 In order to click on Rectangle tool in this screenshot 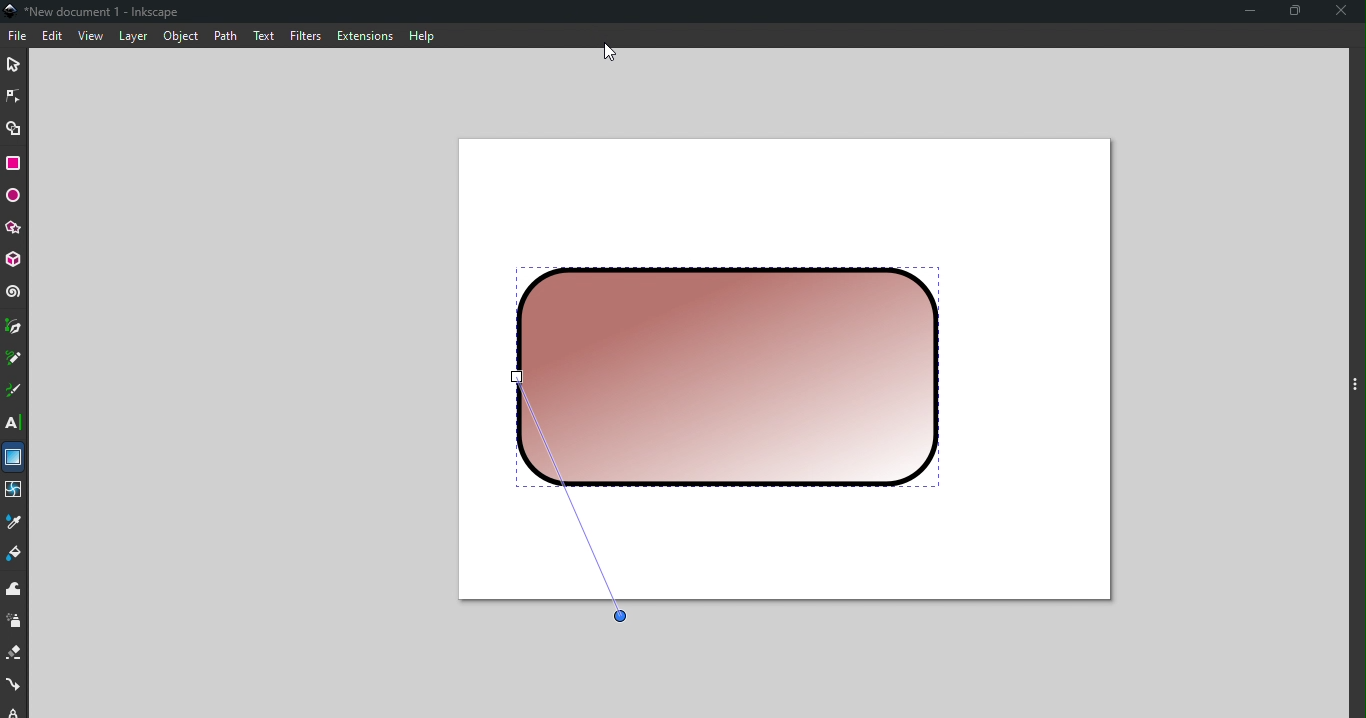, I will do `click(17, 163)`.